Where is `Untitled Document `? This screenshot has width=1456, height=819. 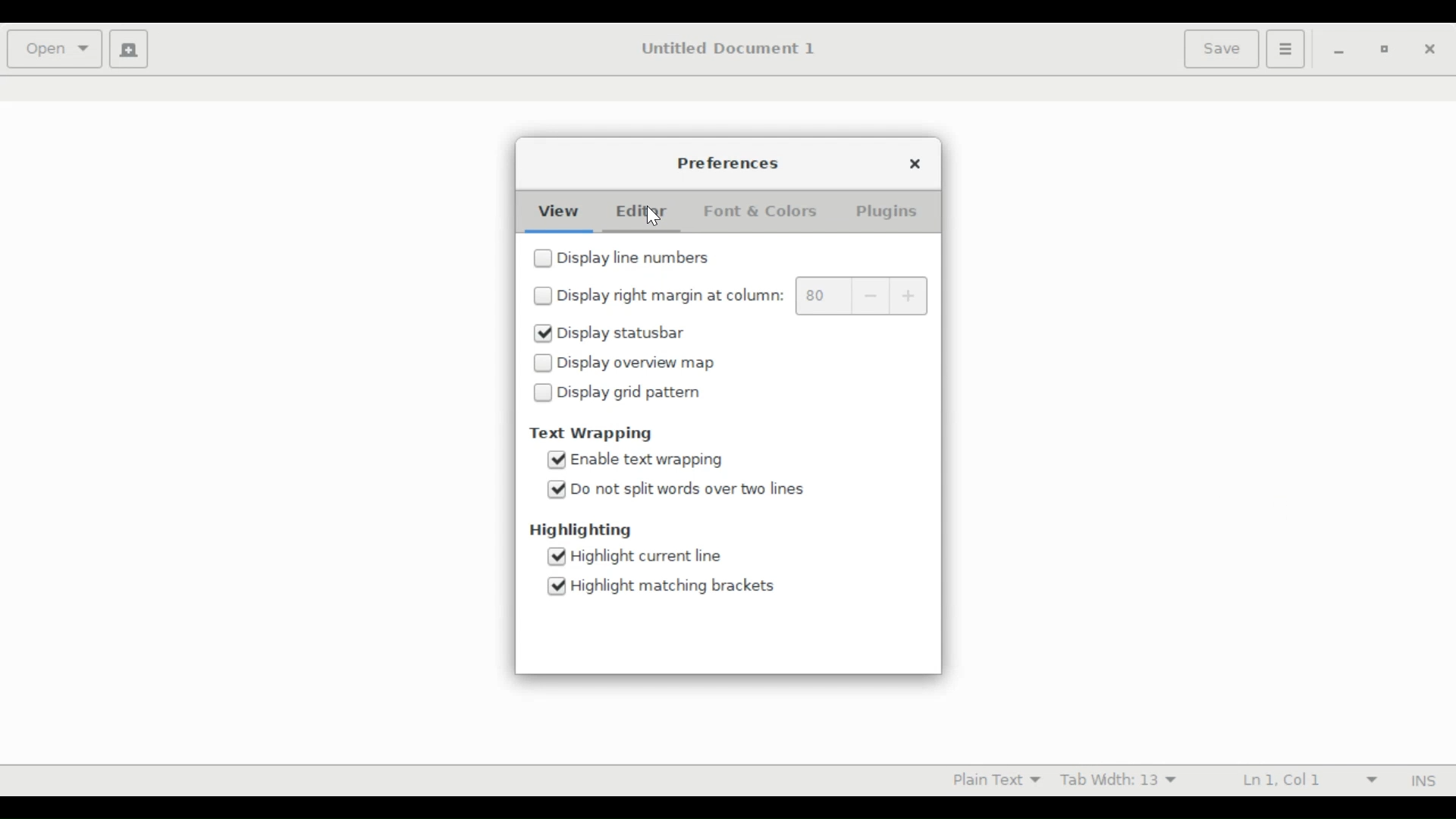
Untitled Document  is located at coordinates (735, 49).